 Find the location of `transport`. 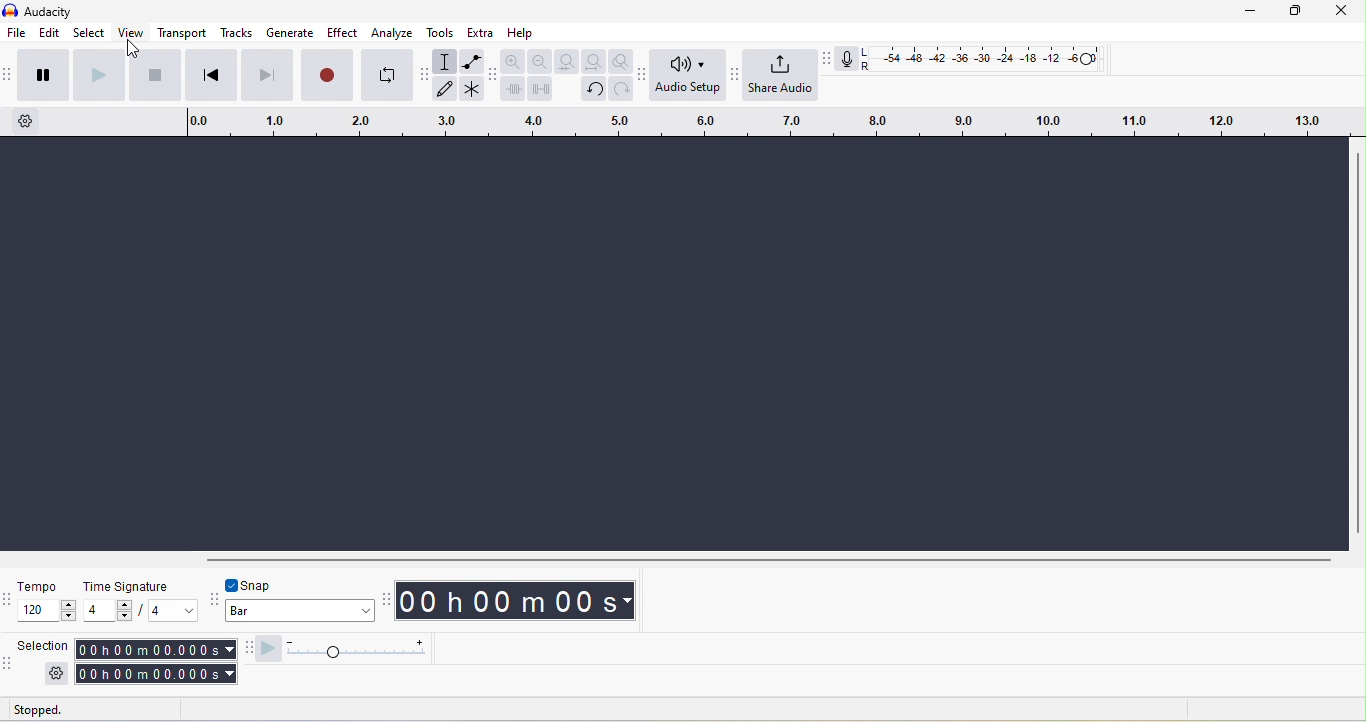

transport is located at coordinates (182, 32).